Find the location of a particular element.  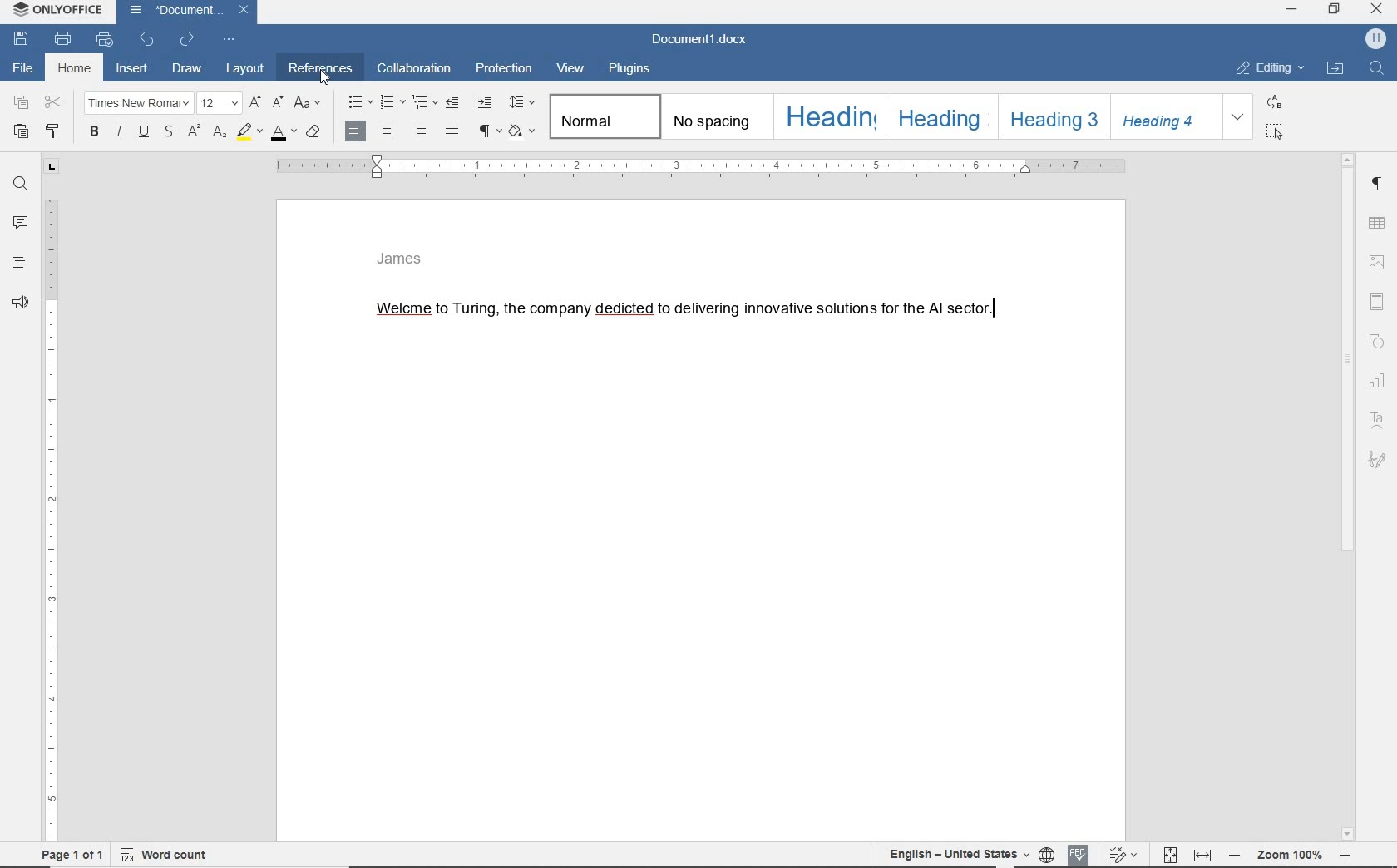

highlight color is located at coordinates (248, 132).